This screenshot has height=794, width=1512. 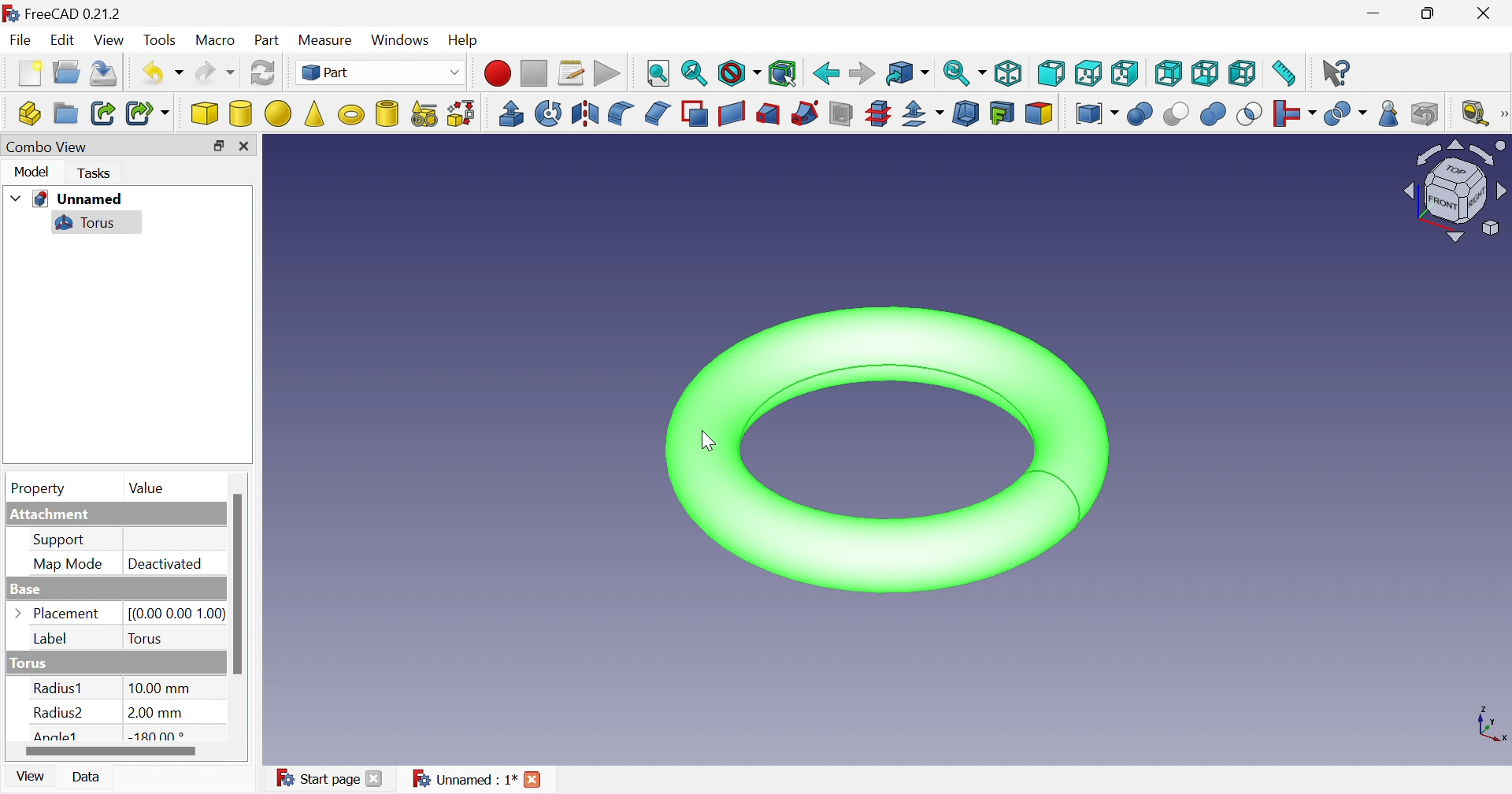 I want to click on Placement, so click(x=67, y=615).